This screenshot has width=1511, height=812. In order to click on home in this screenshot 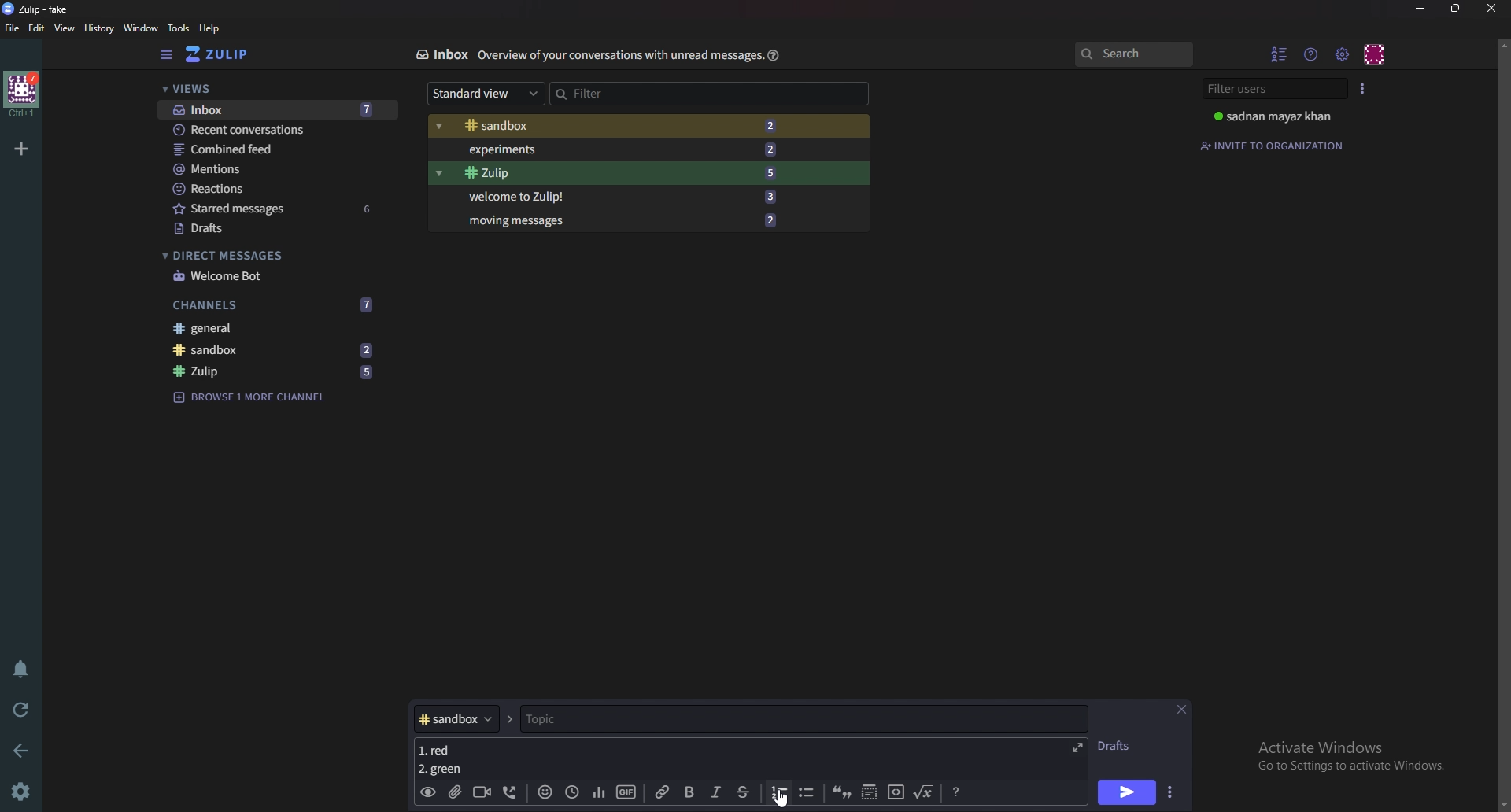, I will do `click(20, 94)`.